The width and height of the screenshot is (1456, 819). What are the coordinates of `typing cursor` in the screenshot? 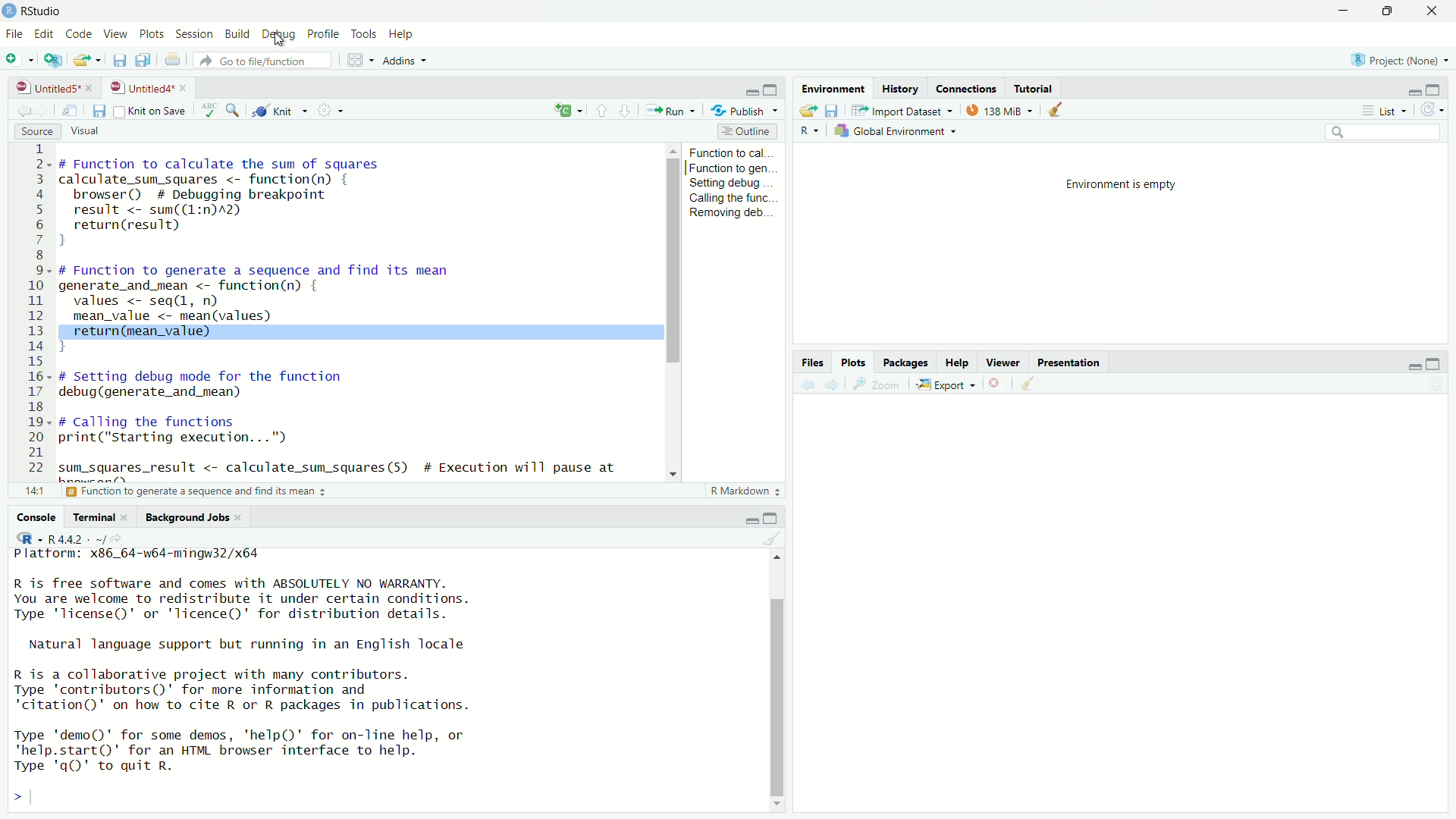 It's located at (38, 798).